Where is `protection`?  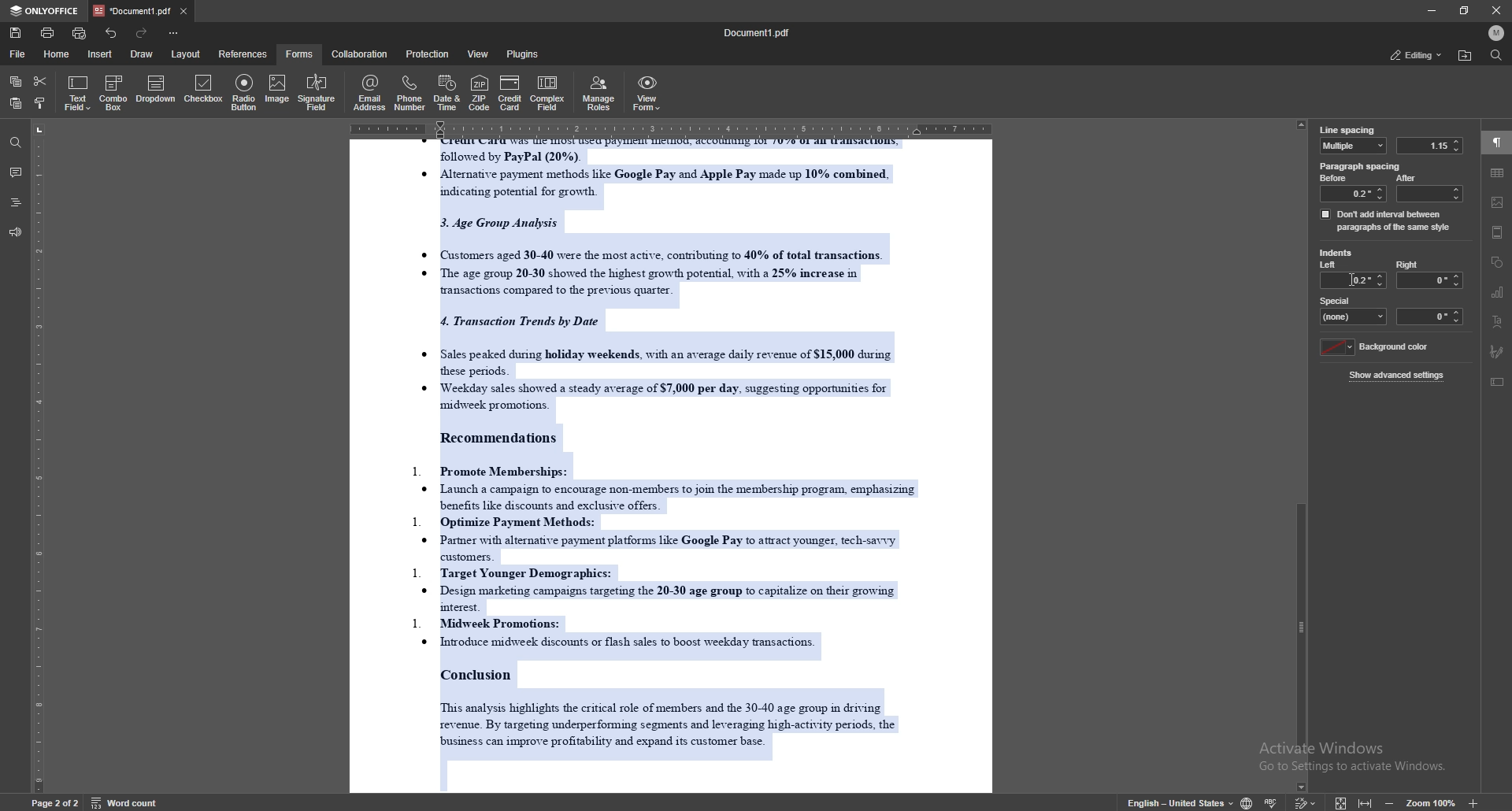 protection is located at coordinates (429, 54).